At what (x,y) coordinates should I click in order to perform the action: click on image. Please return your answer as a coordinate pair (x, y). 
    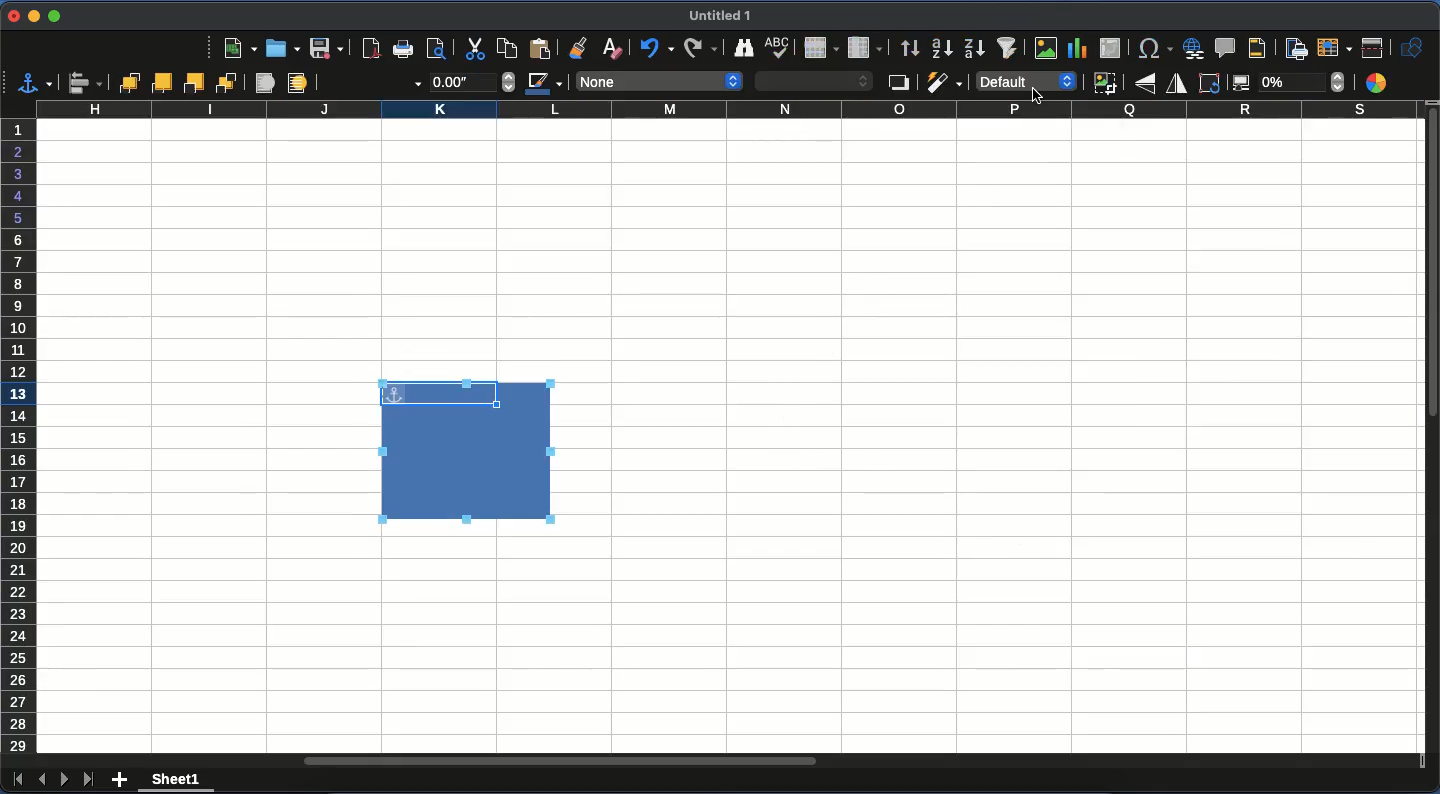
    Looking at the image, I should click on (1048, 48).